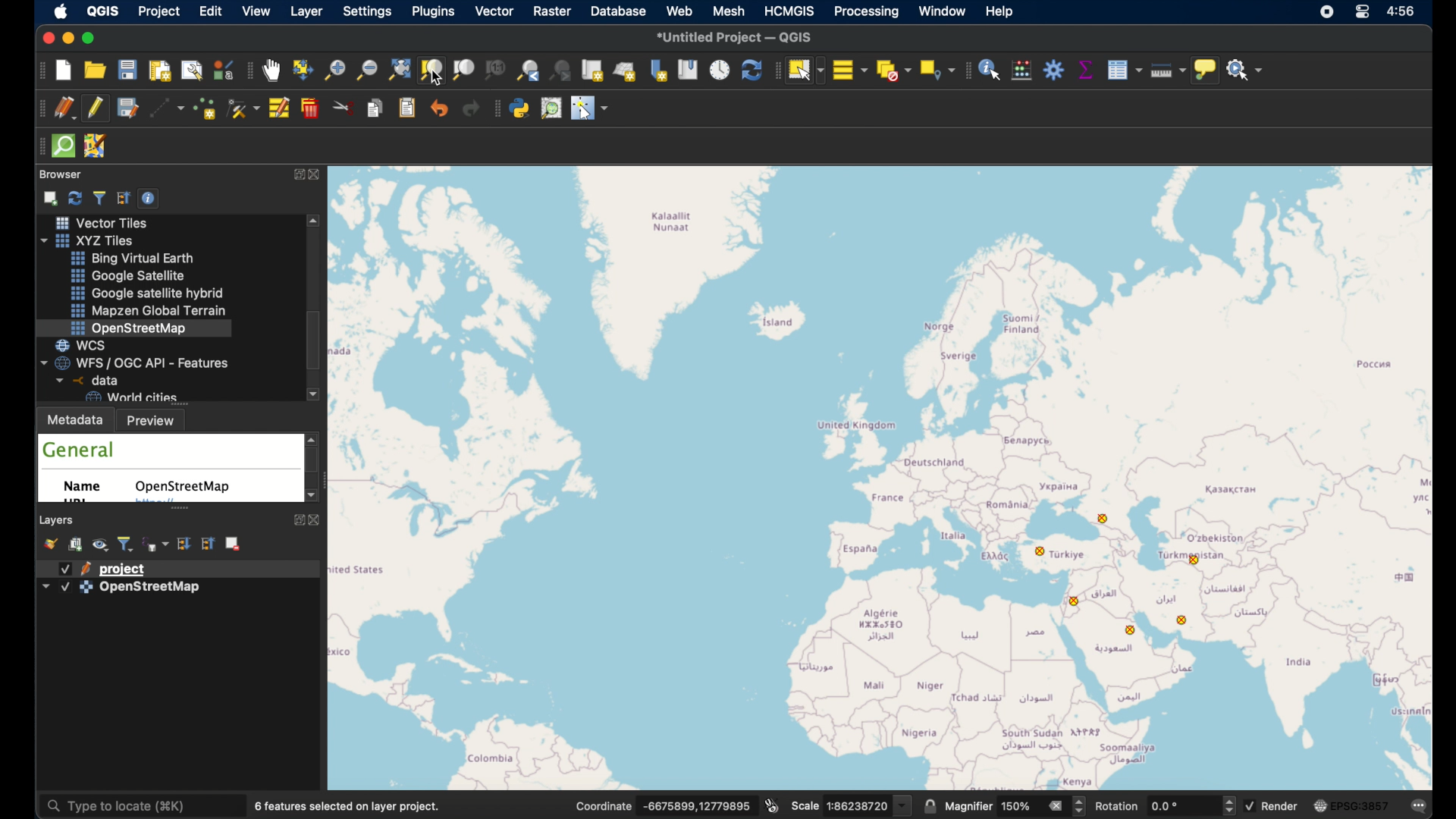  What do you see at coordinates (64, 72) in the screenshot?
I see `new project` at bounding box center [64, 72].